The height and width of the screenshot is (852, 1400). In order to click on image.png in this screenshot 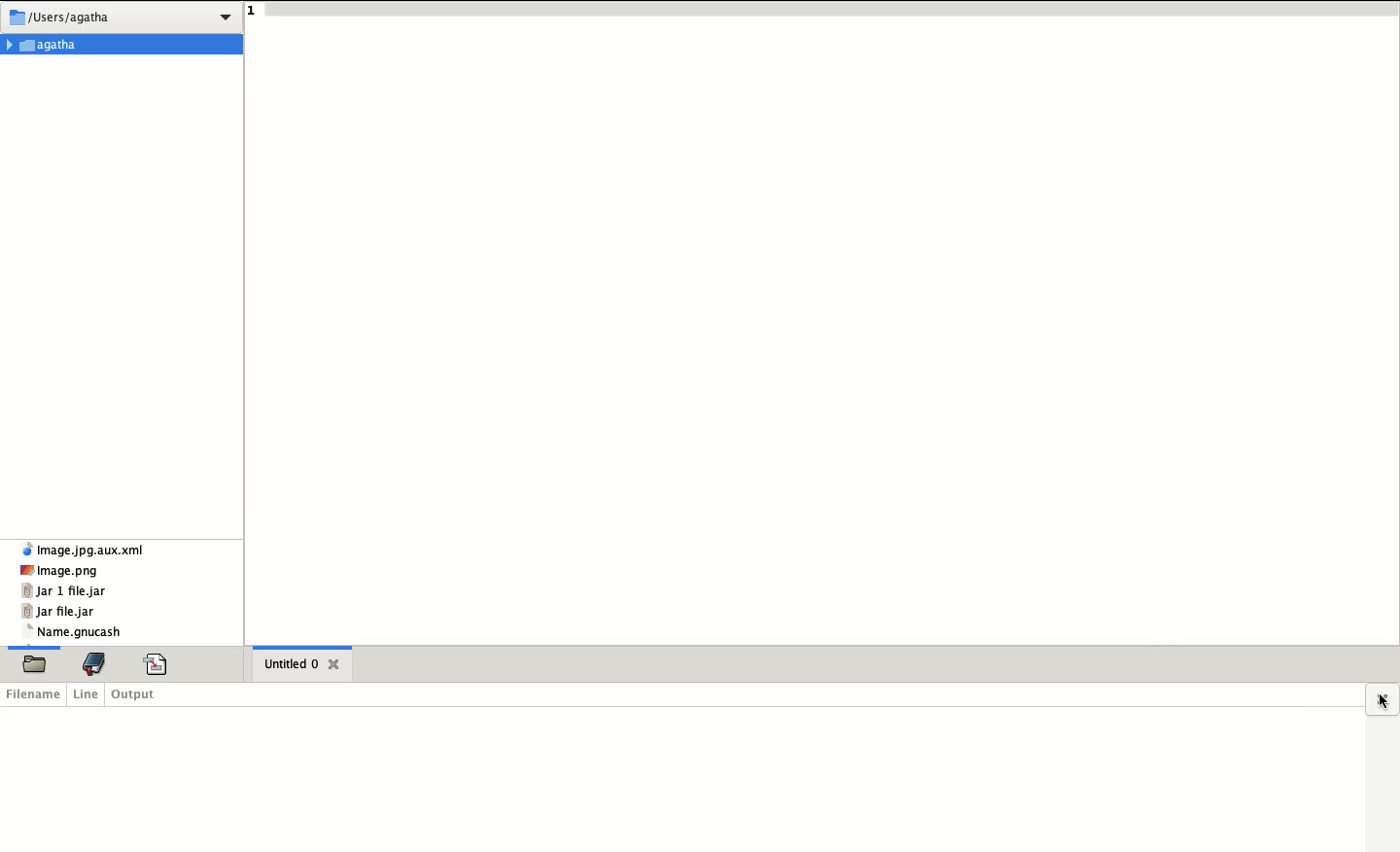, I will do `click(61, 571)`.